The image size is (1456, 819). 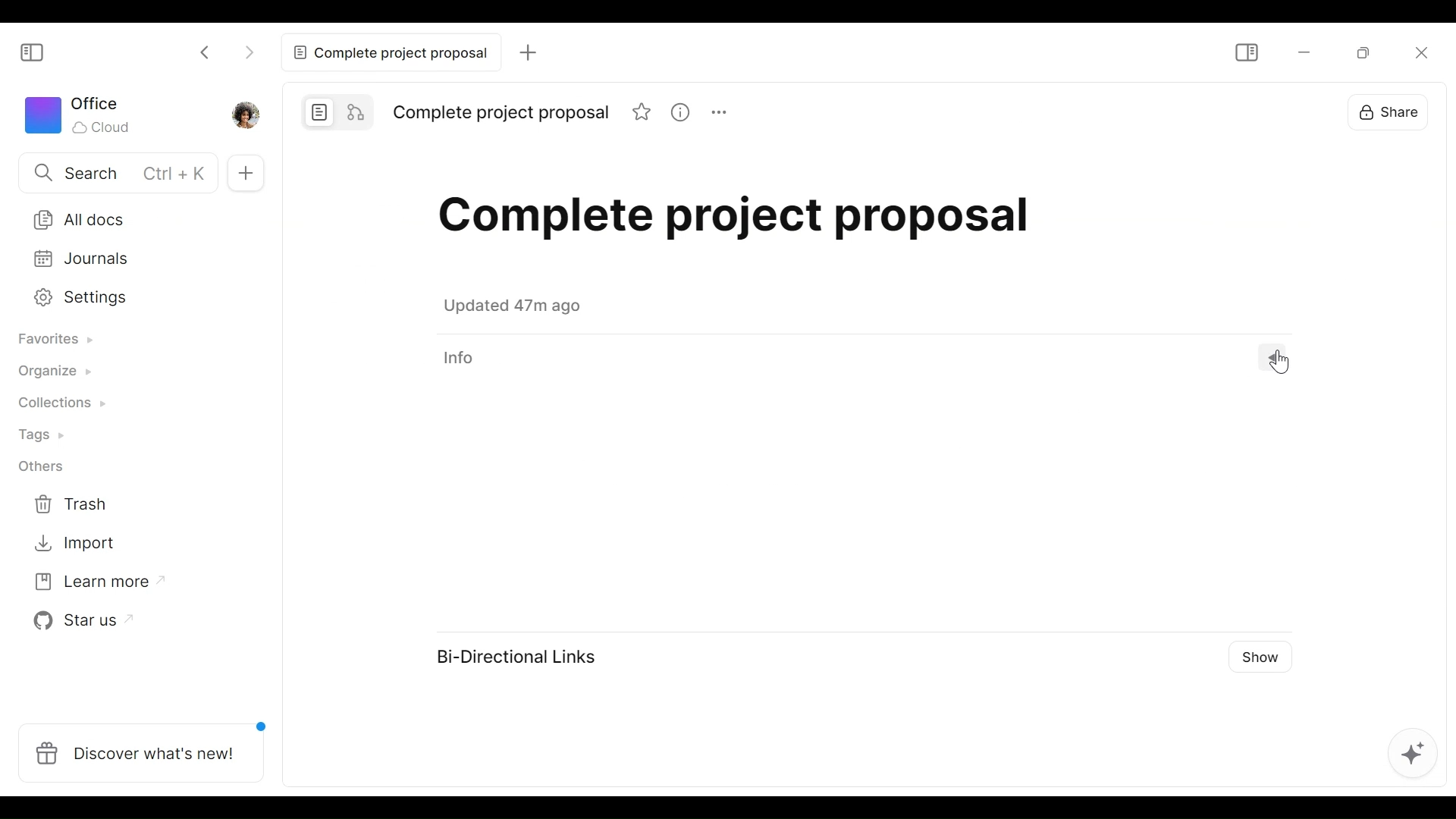 What do you see at coordinates (48, 469) in the screenshot?
I see `Others` at bounding box center [48, 469].